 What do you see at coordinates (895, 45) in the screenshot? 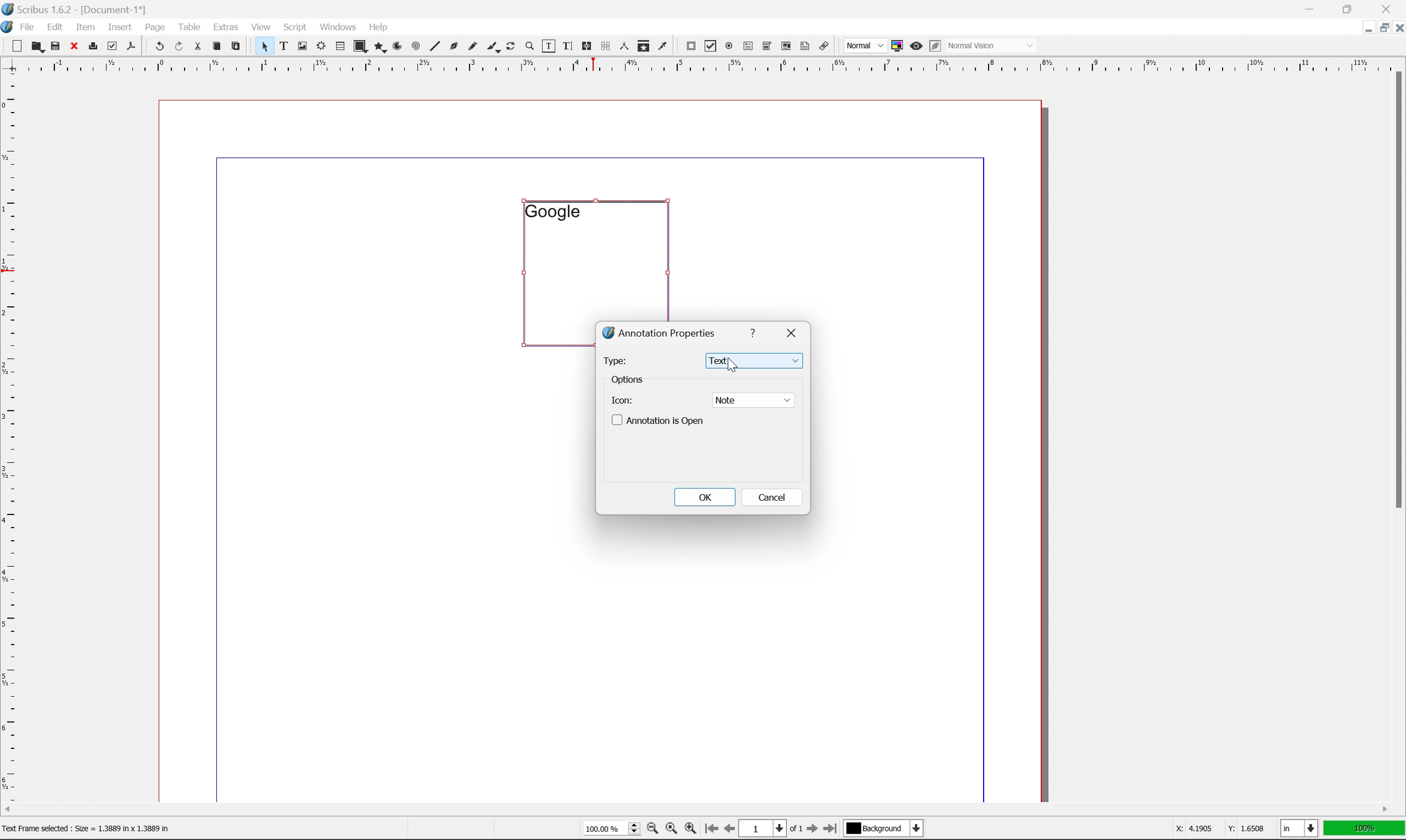
I see `toggle color management system` at bounding box center [895, 45].